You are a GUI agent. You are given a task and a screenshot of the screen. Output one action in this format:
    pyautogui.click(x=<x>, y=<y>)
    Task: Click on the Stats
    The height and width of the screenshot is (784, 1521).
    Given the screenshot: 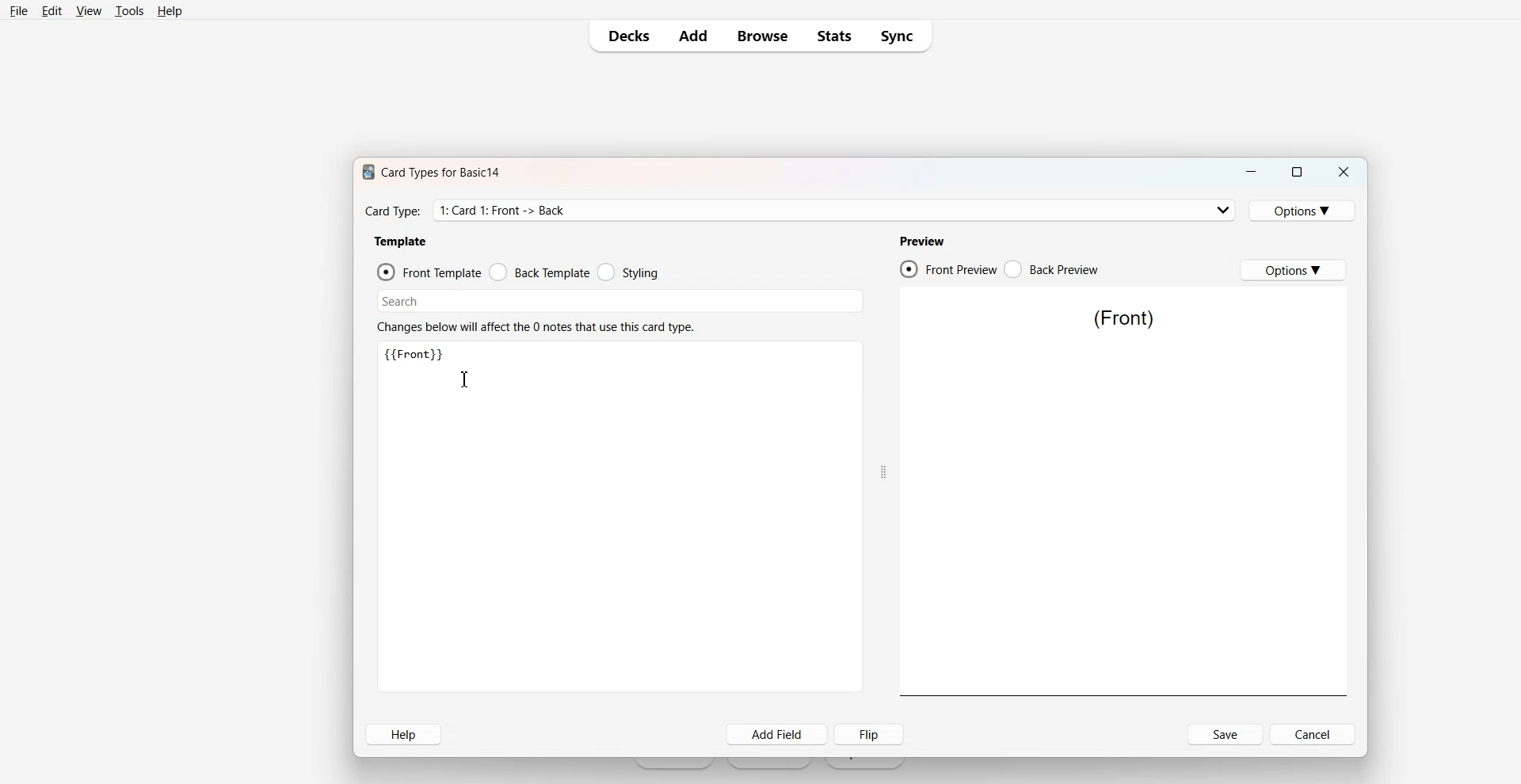 What is the action you would take?
    pyautogui.click(x=833, y=36)
    